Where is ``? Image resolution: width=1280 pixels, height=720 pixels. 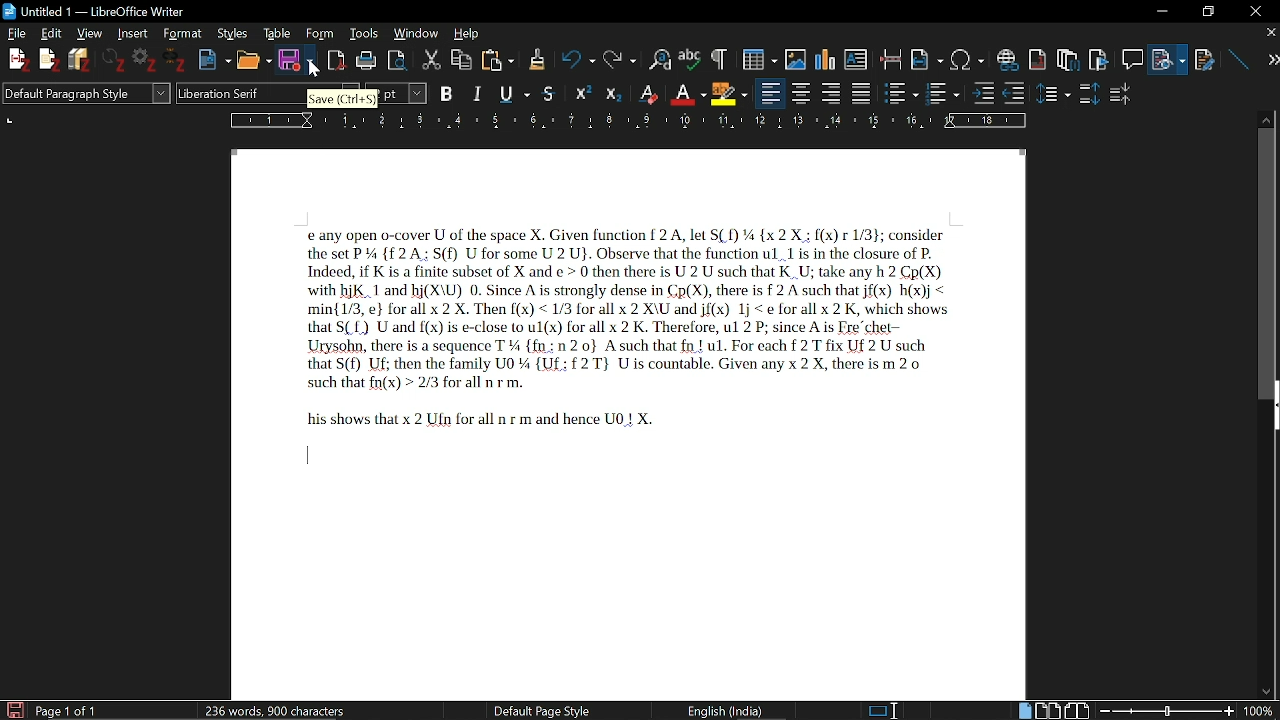  is located at coordinates (613, 93).